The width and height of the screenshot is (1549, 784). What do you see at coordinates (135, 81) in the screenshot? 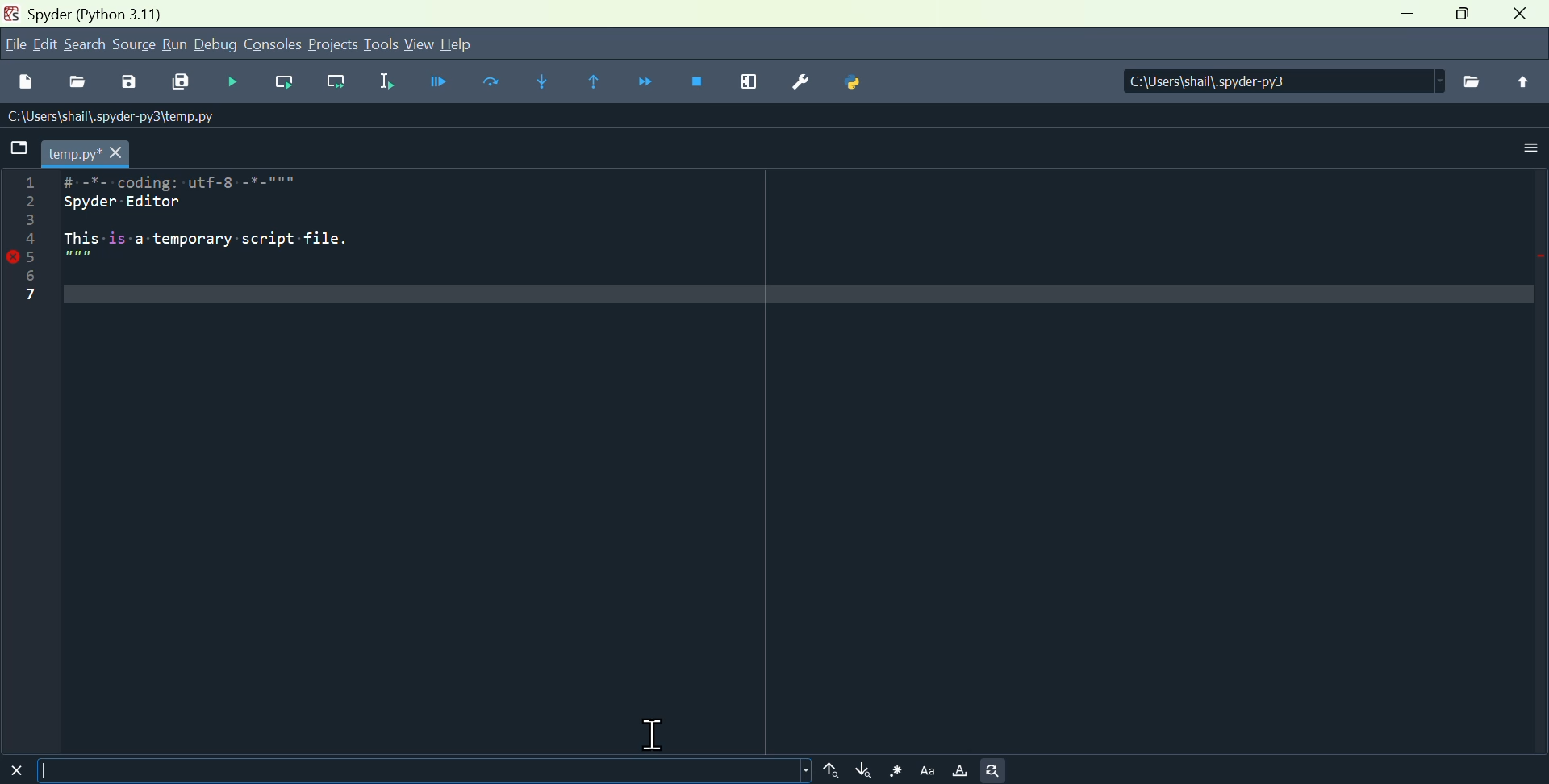
I see `Save as` at bounding box center [135, 81].